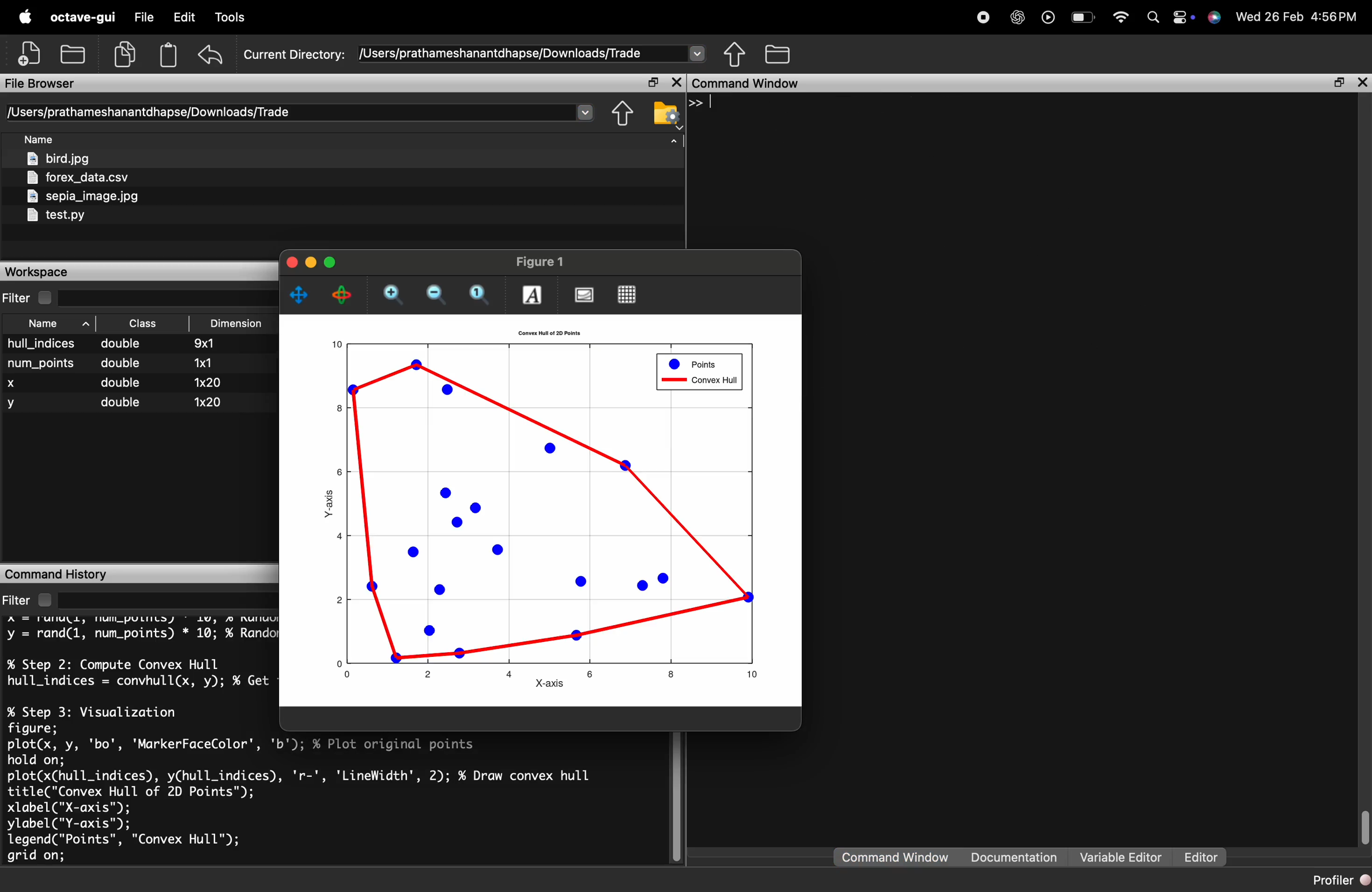  I want to click on Dimension, so click(237, 323).